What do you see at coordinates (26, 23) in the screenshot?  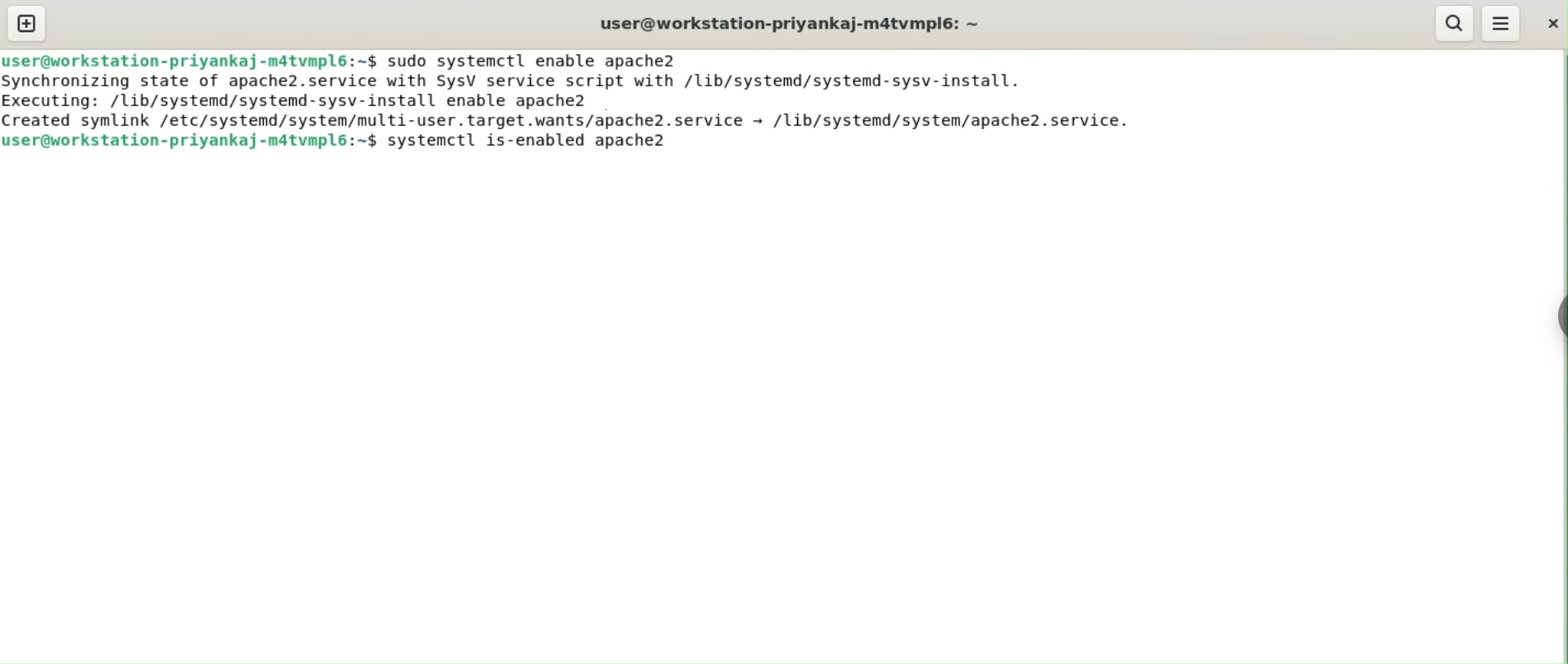 I see `new tab` at bounding box center [26, 23].